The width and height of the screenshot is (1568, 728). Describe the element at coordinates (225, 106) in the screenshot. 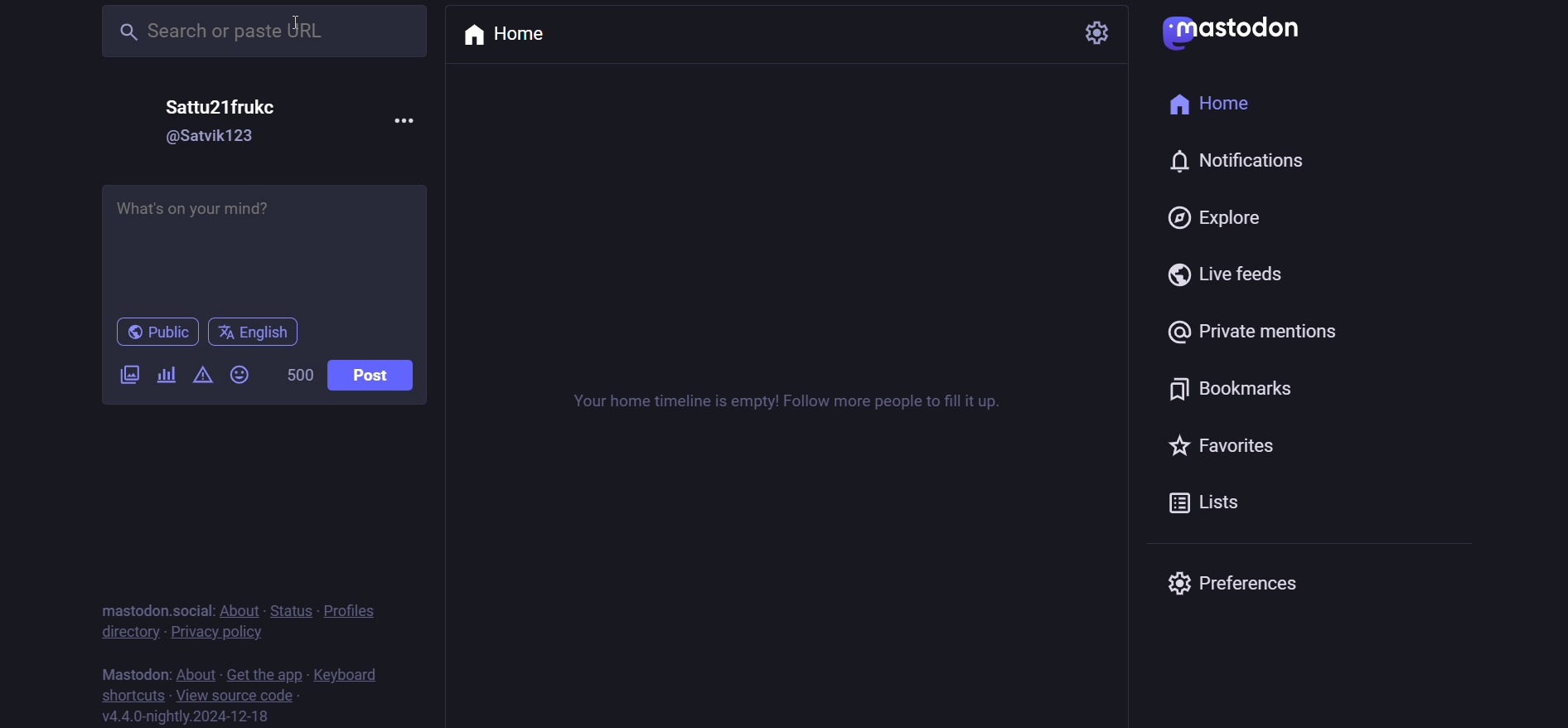

I see `name` at that location.